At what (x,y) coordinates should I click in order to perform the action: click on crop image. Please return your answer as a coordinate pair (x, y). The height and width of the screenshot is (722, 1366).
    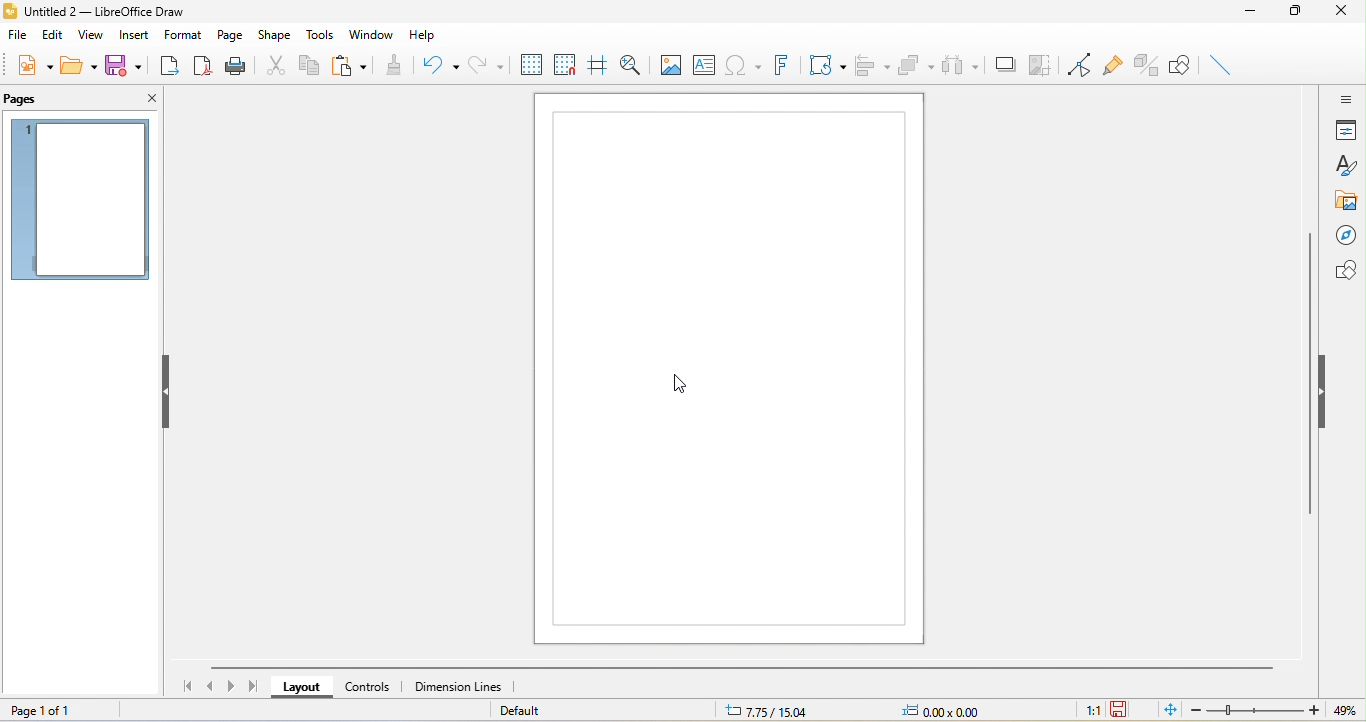
    Looking at the image, I should click on (1041, 63).